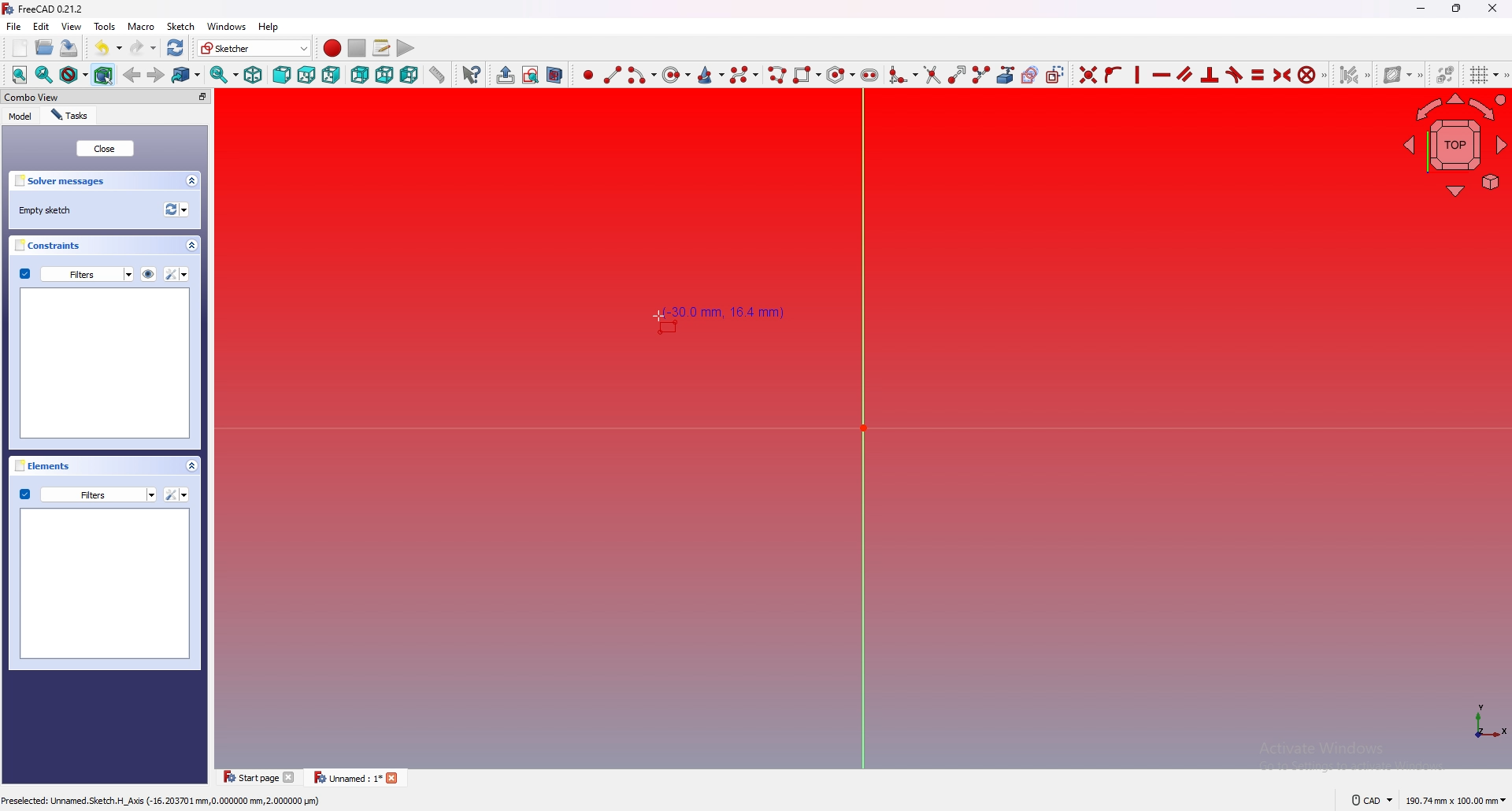 This screenshot has height=811, width=1512. I want to click on synced view, so click(225, 75).